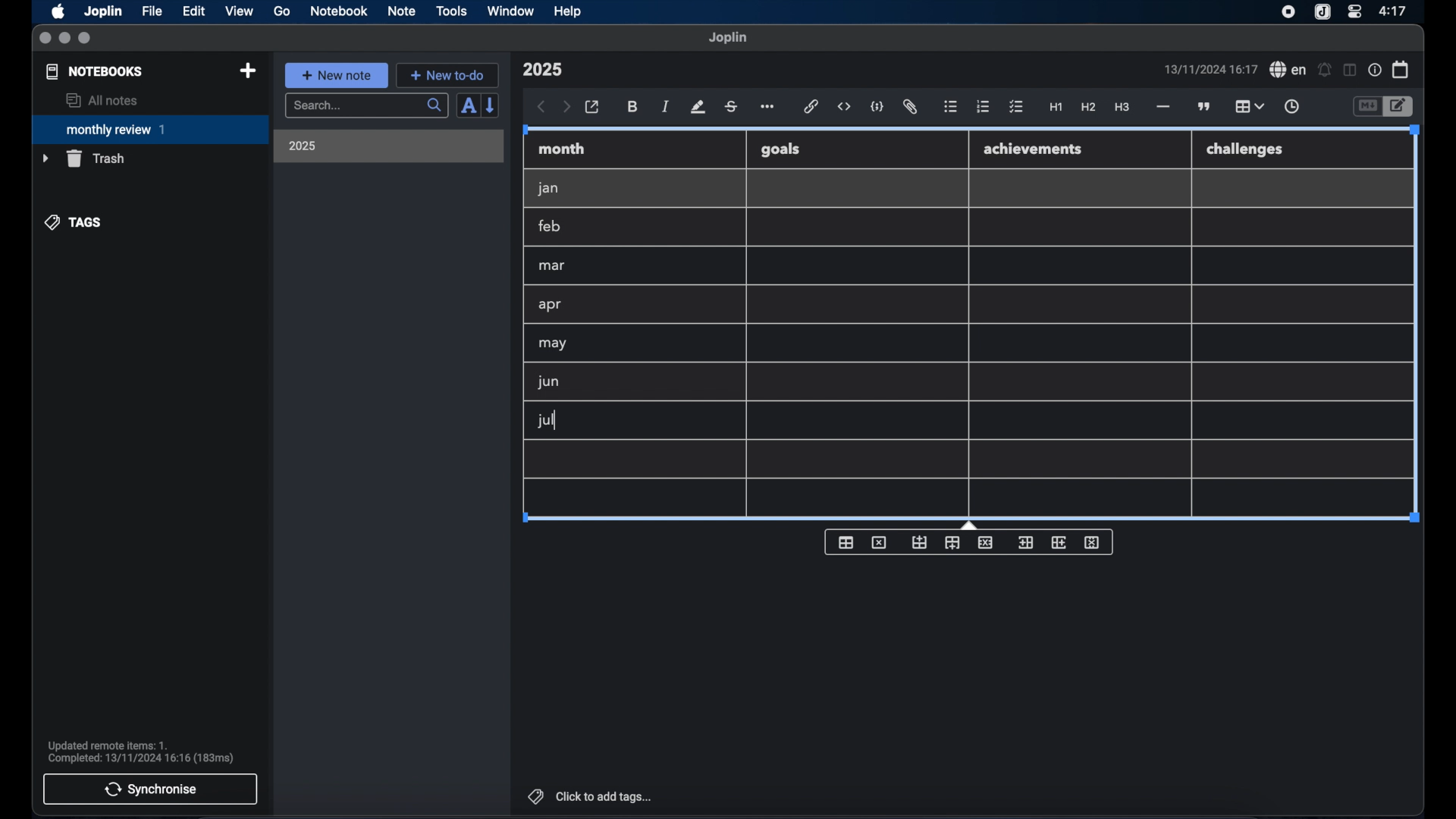 This screenshot has width=1456, height=819. What do you see at coordinates (1025, 543) in the screenshot?
I see `insert column before` at bounding box center [1025, 543].